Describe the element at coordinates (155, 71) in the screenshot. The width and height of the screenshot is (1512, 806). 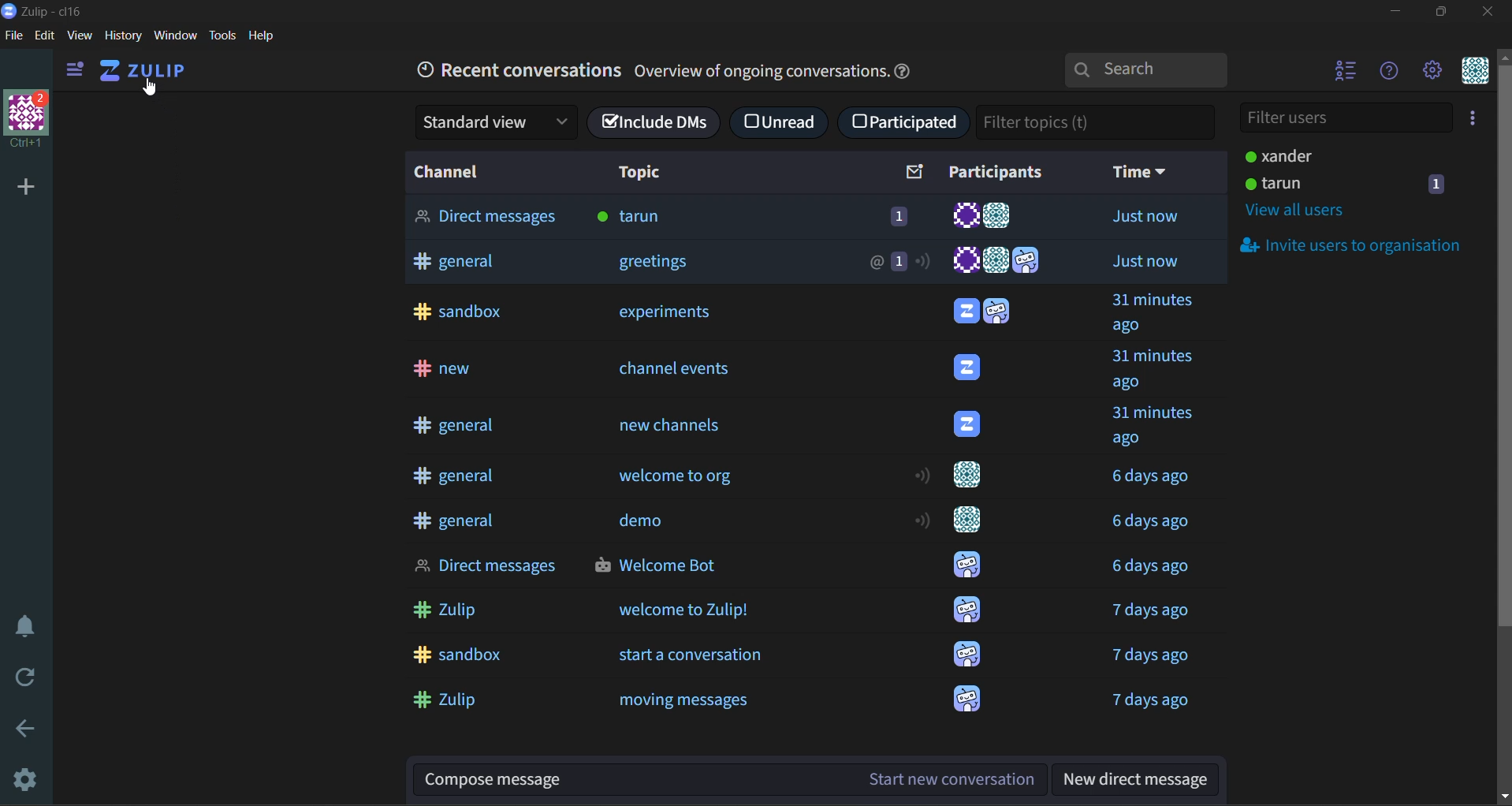
I see `home view` at that location.